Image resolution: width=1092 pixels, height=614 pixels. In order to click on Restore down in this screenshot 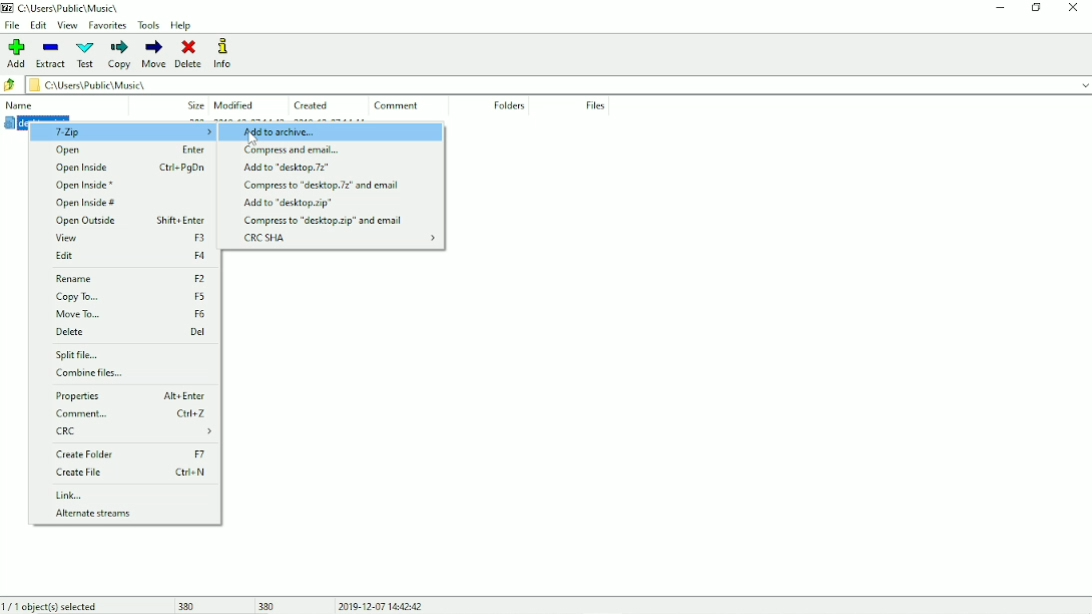, I will do `click(1037, 7)`.